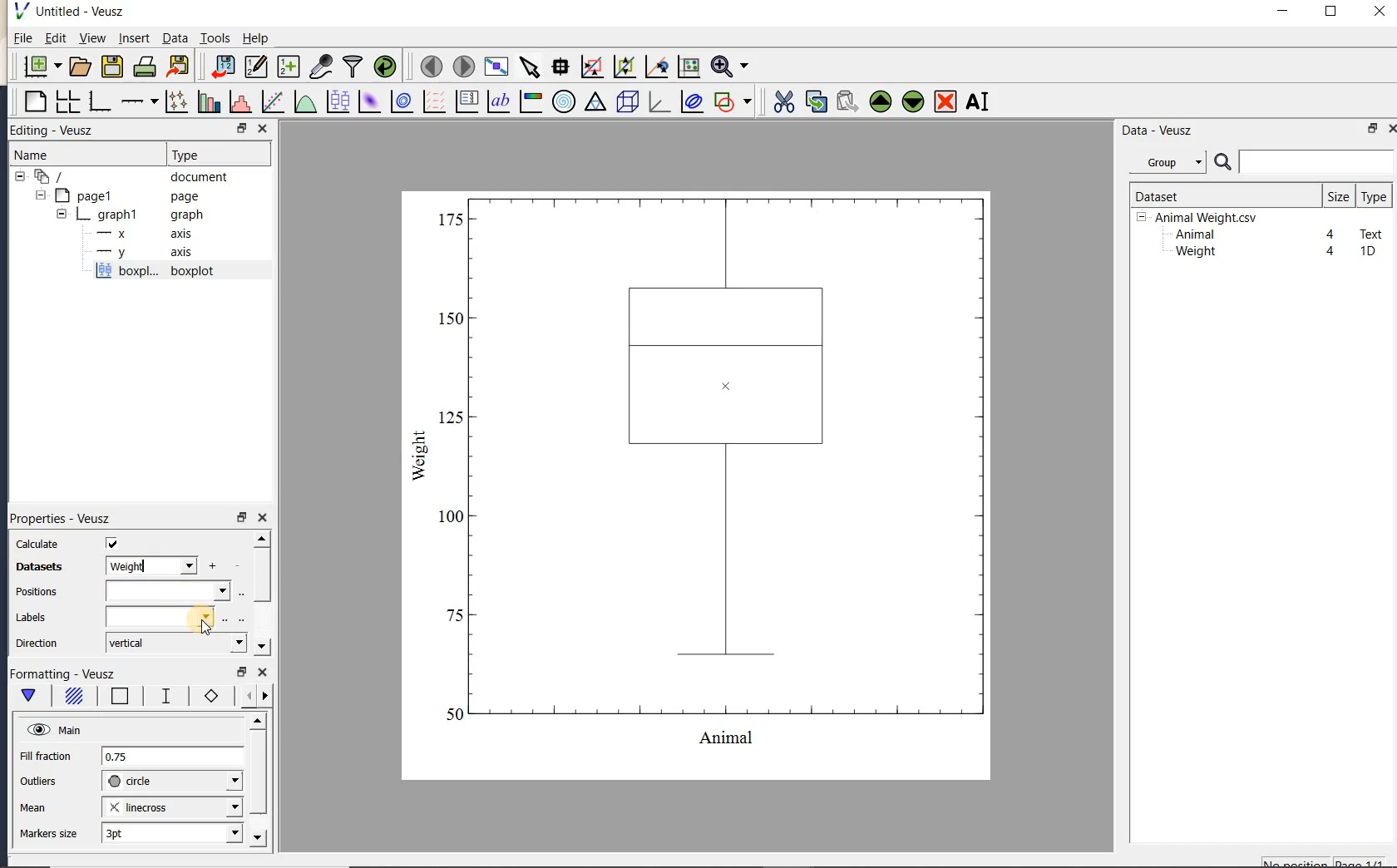  What do you see at coordinates (170, 806) in the screenshot?
I see `linecross` at bounding box center [170, 806].